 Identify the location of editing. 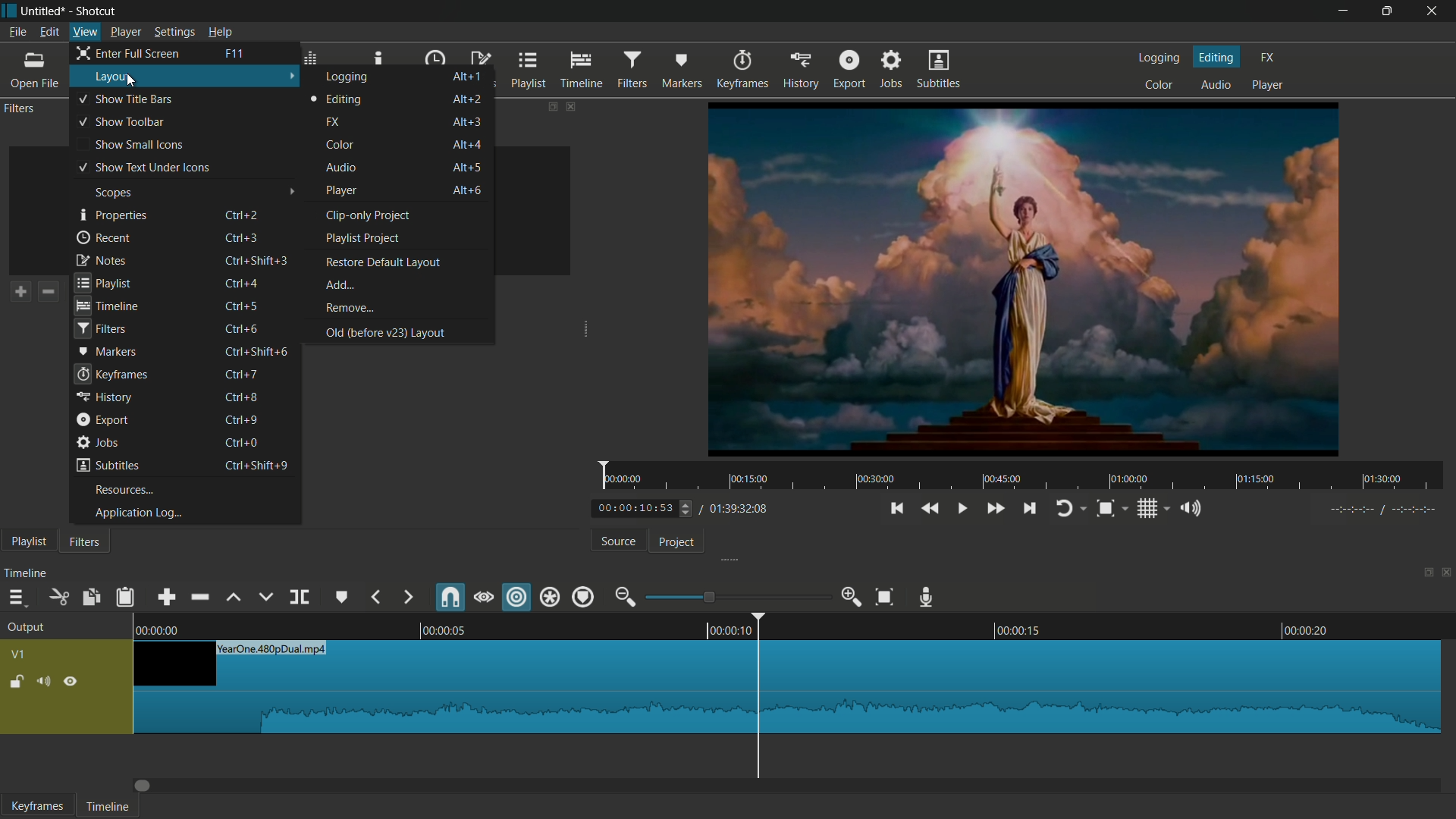
(337, 99).